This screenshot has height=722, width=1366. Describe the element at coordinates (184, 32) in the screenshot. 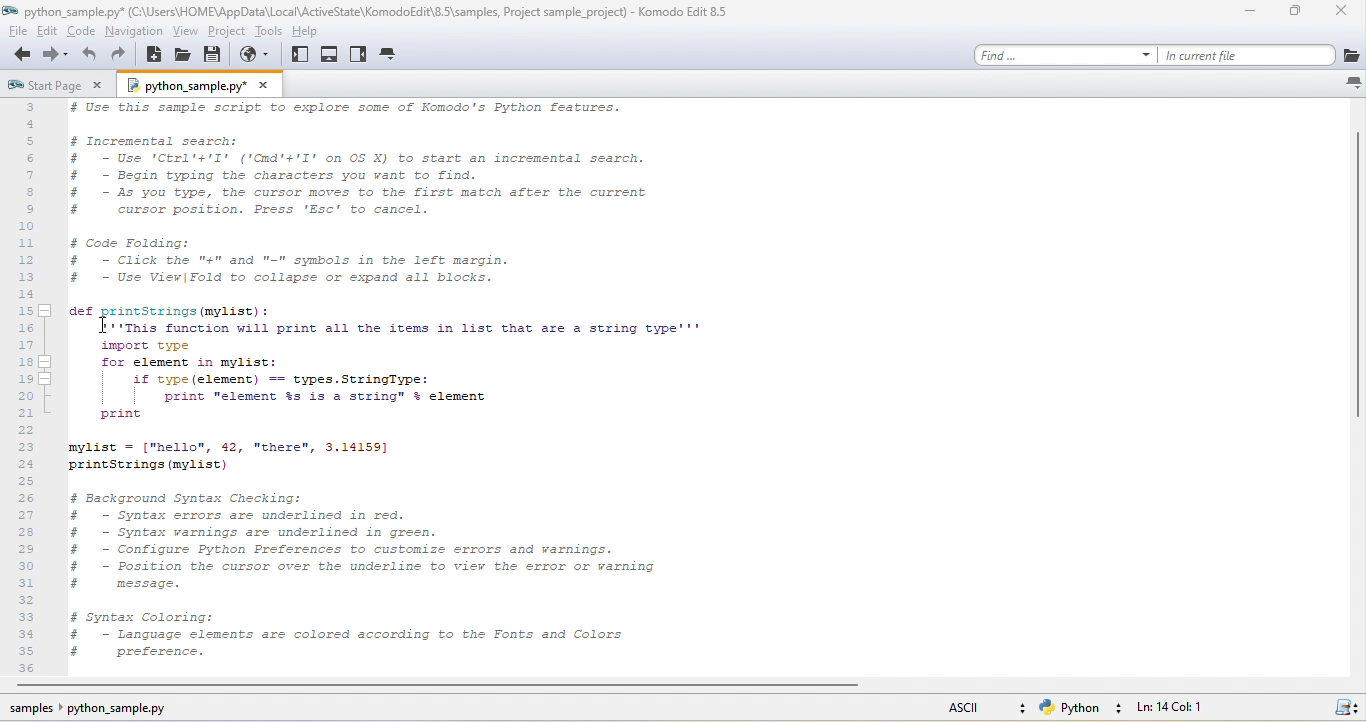

I see `view` at that location.